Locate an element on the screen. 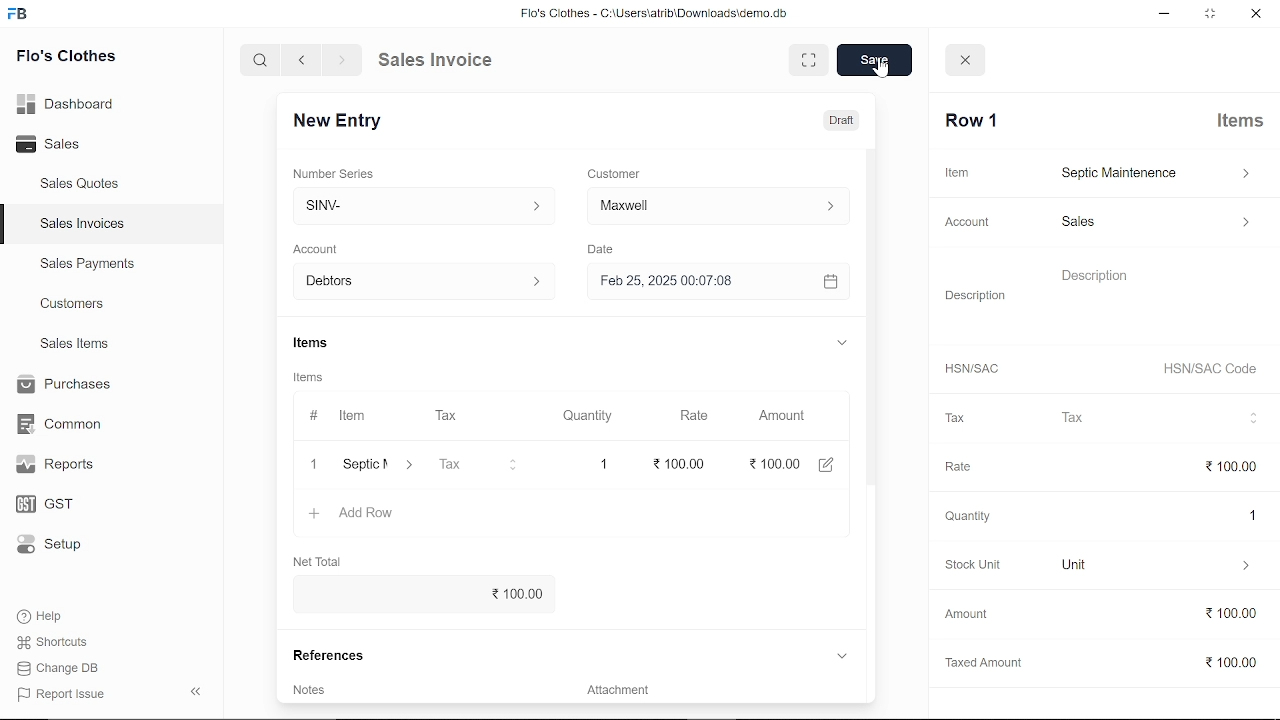  edit rate is located at coordinates (681, 462).